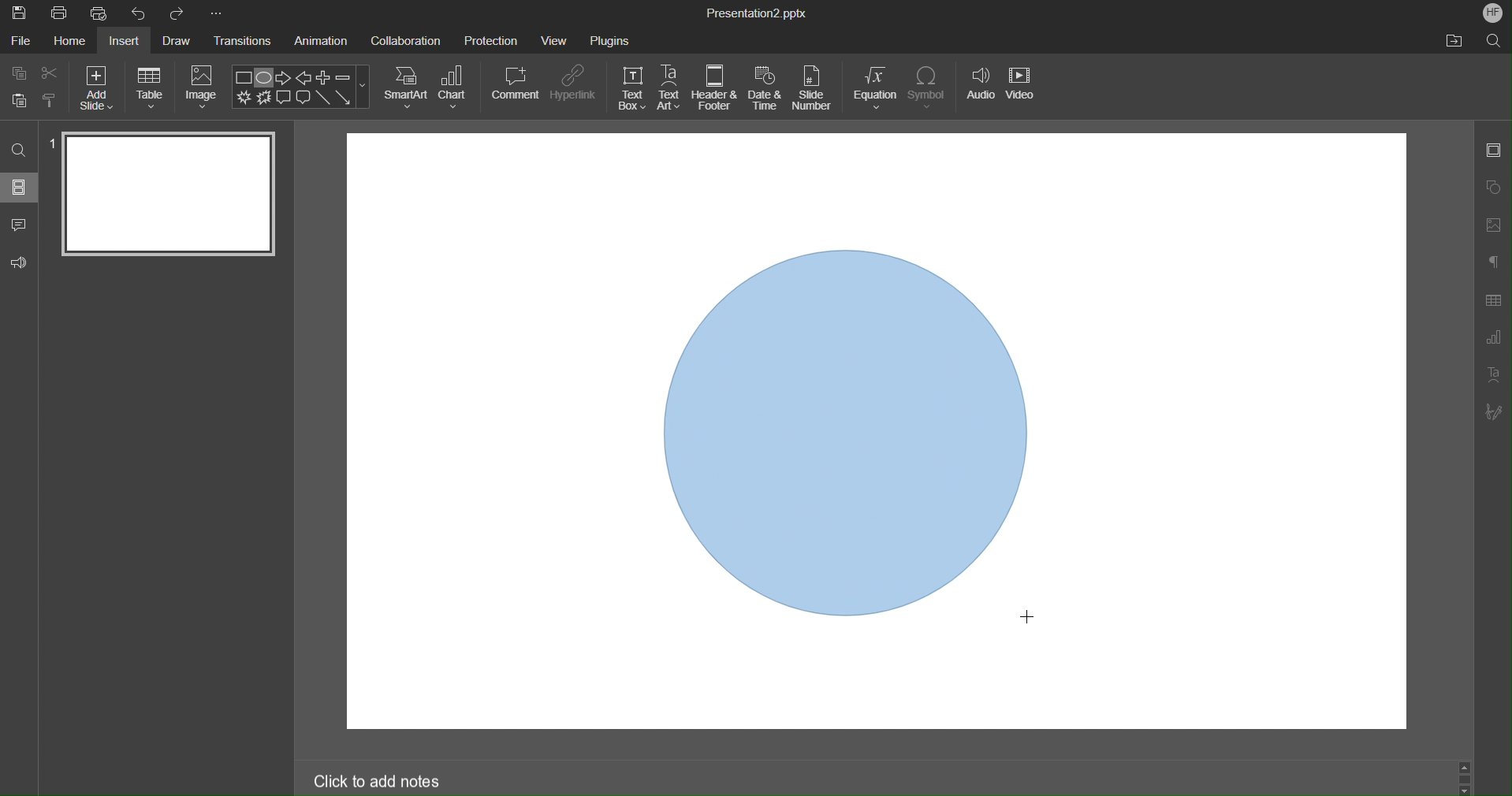 This screenshot has height=796, width=1512. What do you see at coordinates (840, 428) in the screenshot?
I see `Circle ` at bounding box center [840, 428].